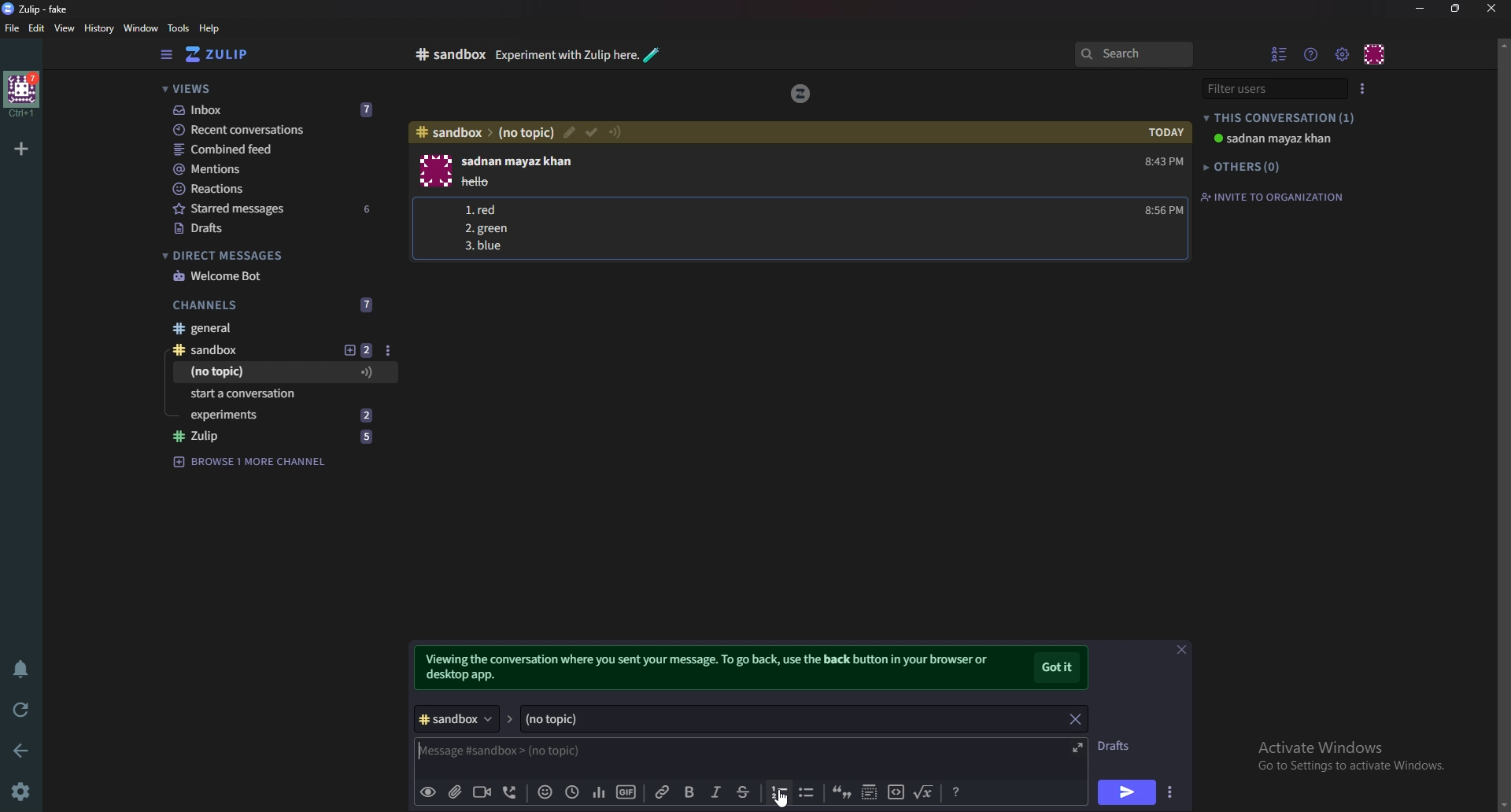  What do you see at coordinates (1073, 718) in the screenshot?
I see `remove topic` at bounding box center [1073, 718].